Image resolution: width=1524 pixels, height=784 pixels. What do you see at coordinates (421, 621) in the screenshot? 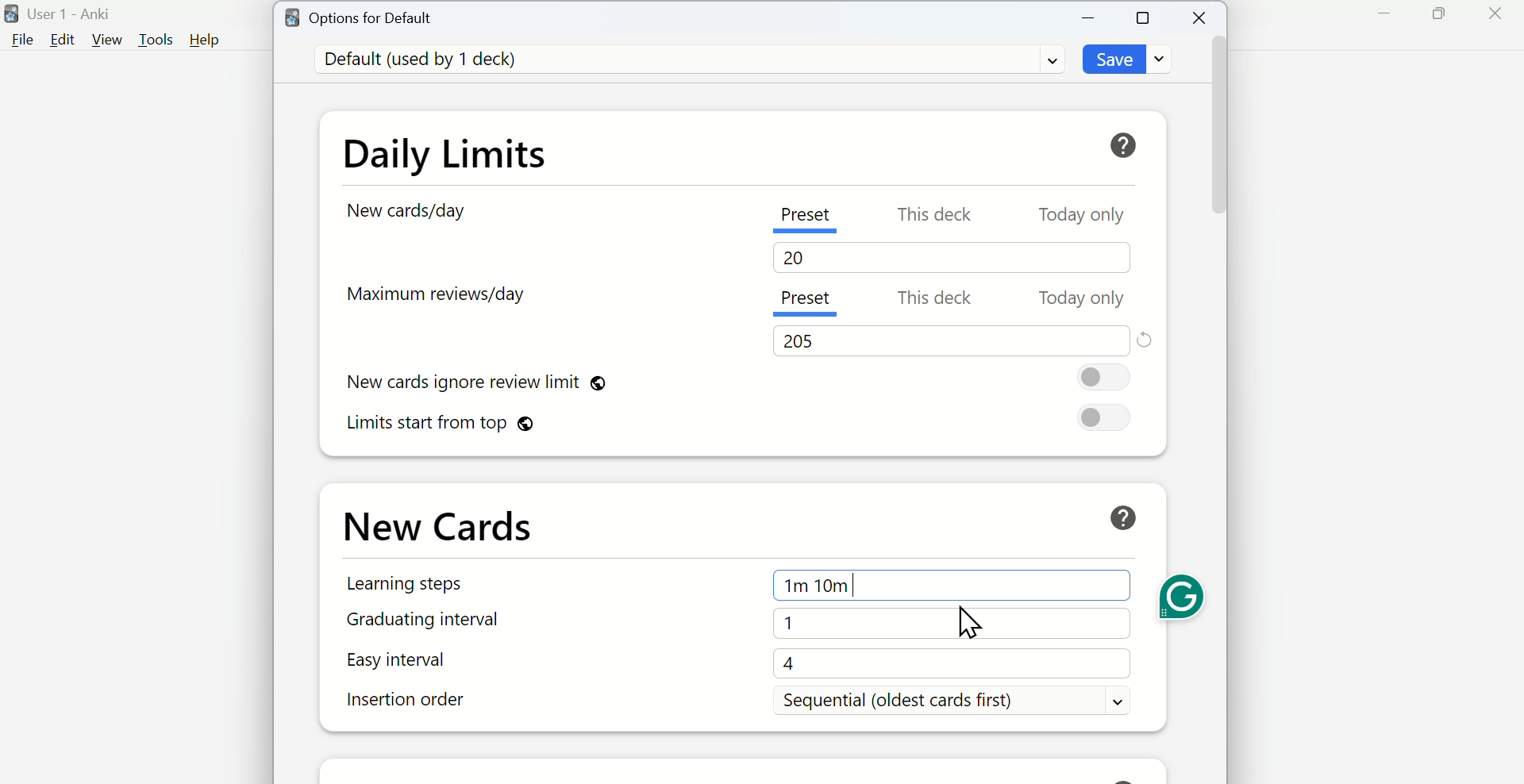
I see `Graduating interval` at bounding box center [421, 621].